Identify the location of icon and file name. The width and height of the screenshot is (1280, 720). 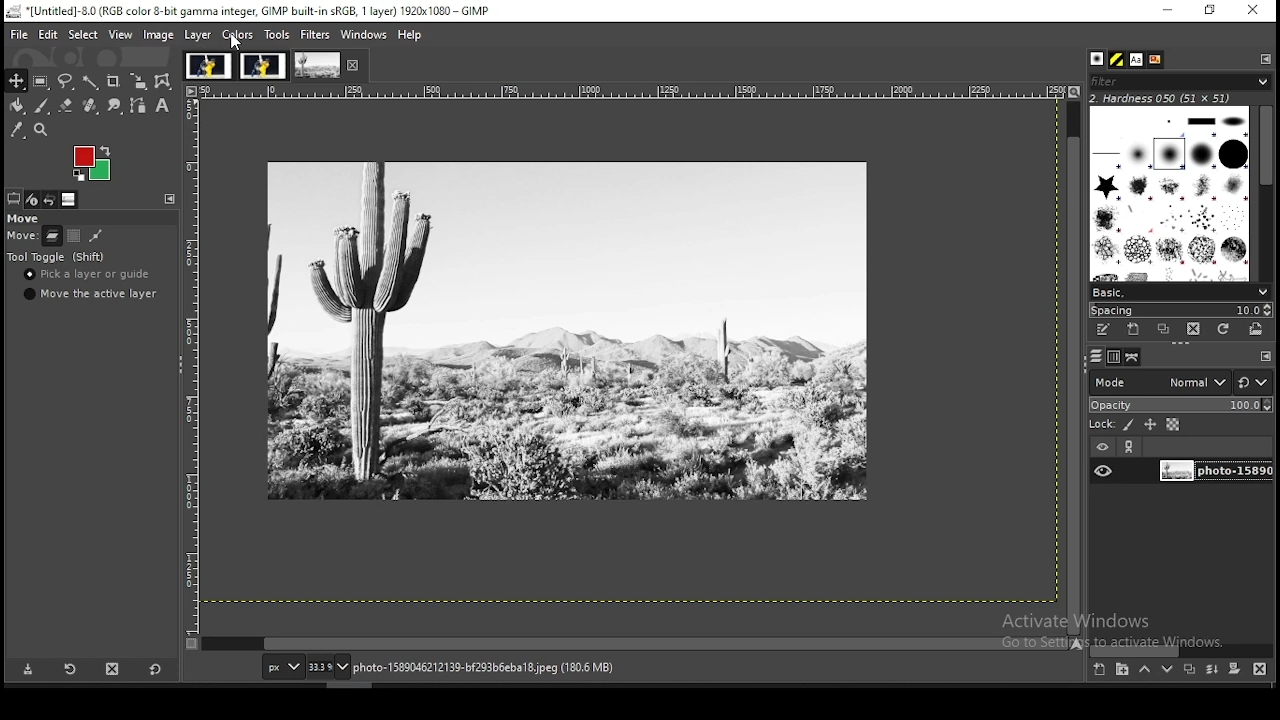
(248, 11).